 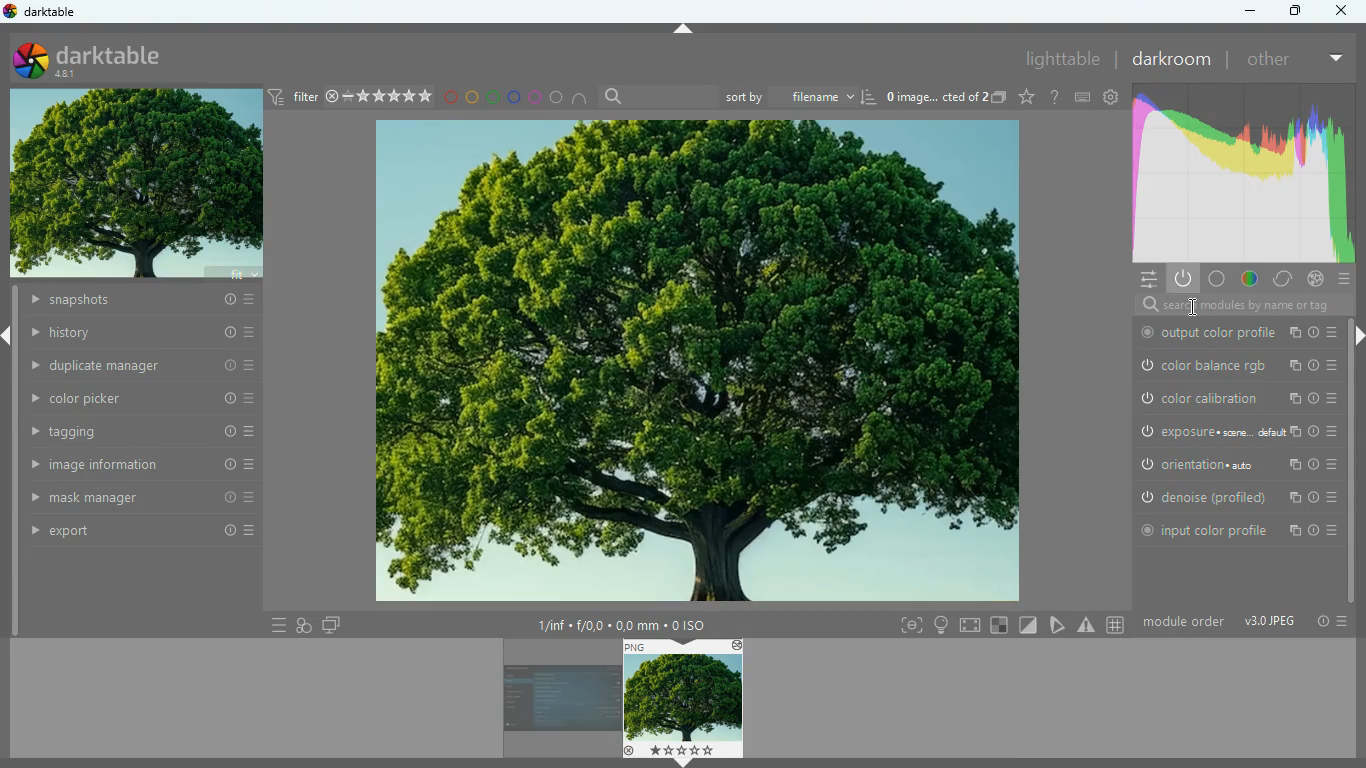 What do you see at coordinates (1214, 278) in the screenshot?
I see `base` at bounding box center [1214, 278].